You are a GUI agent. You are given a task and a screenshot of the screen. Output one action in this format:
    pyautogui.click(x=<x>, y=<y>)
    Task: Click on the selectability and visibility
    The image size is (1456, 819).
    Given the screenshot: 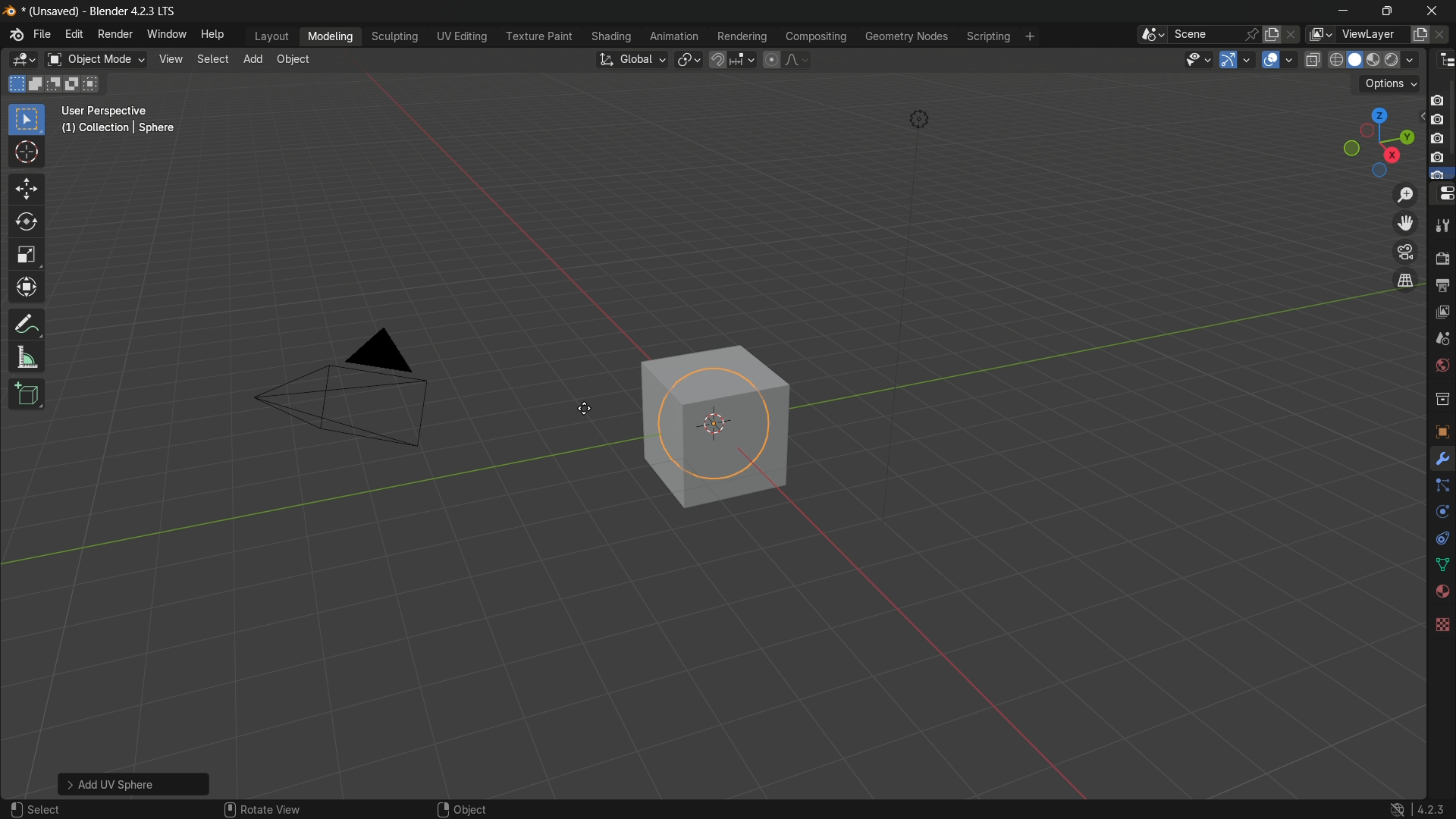 What is the action you would take?
    pyautogui.click(x=1199, y=61)
    